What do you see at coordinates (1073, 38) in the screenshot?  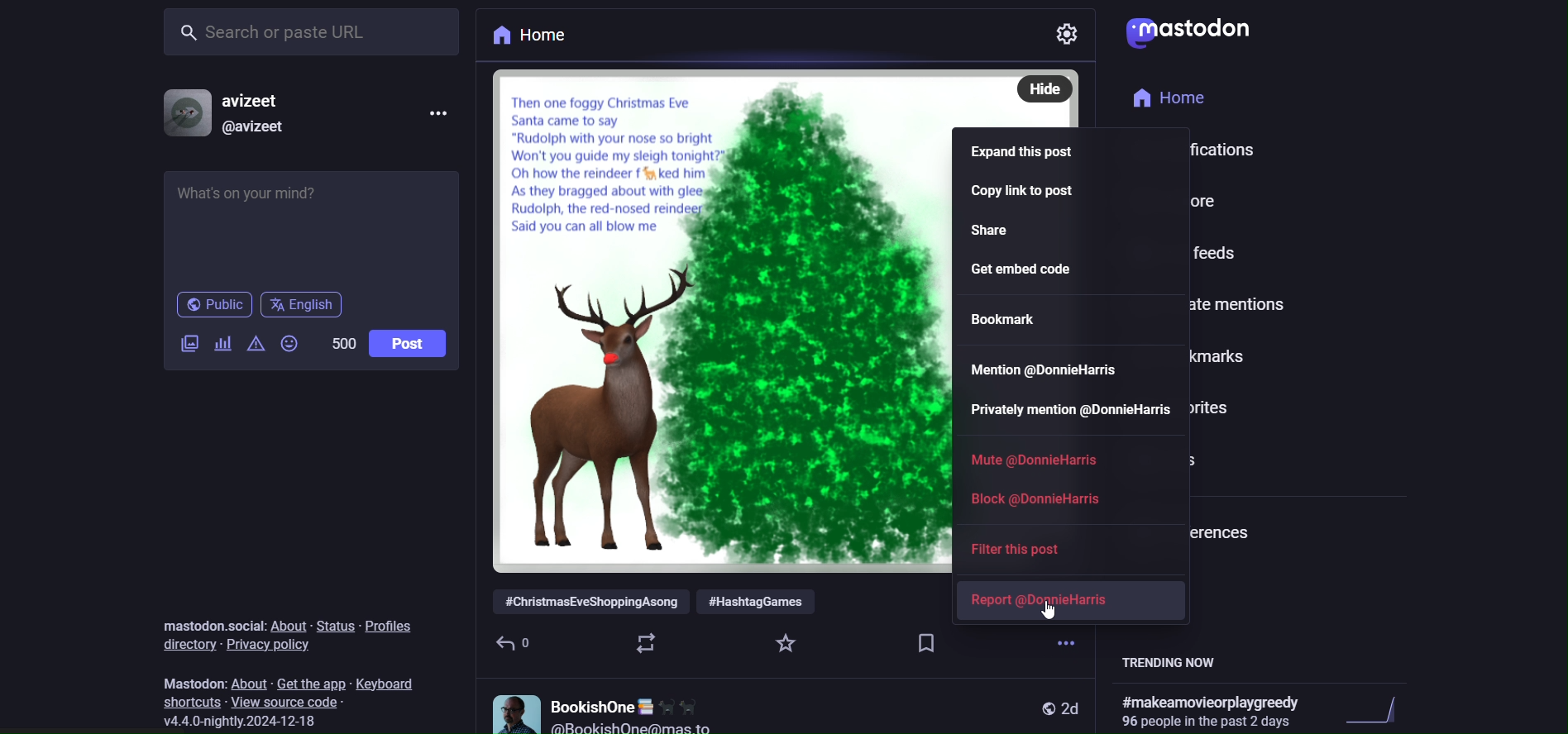 I see `setting` at bounding box center [1073, 38].